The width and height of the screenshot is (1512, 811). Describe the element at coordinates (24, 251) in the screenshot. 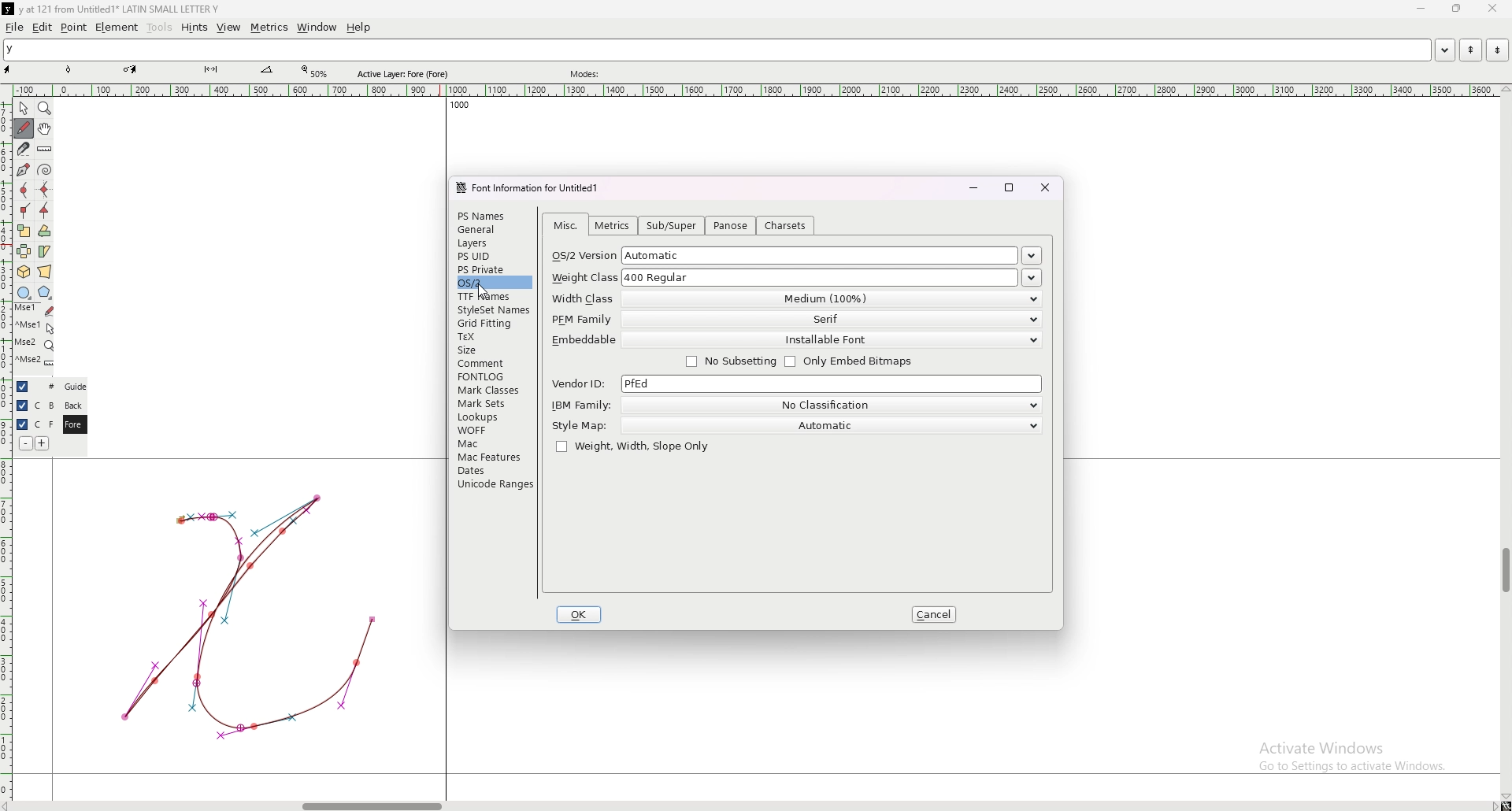

I see `flip the selection` at that location.